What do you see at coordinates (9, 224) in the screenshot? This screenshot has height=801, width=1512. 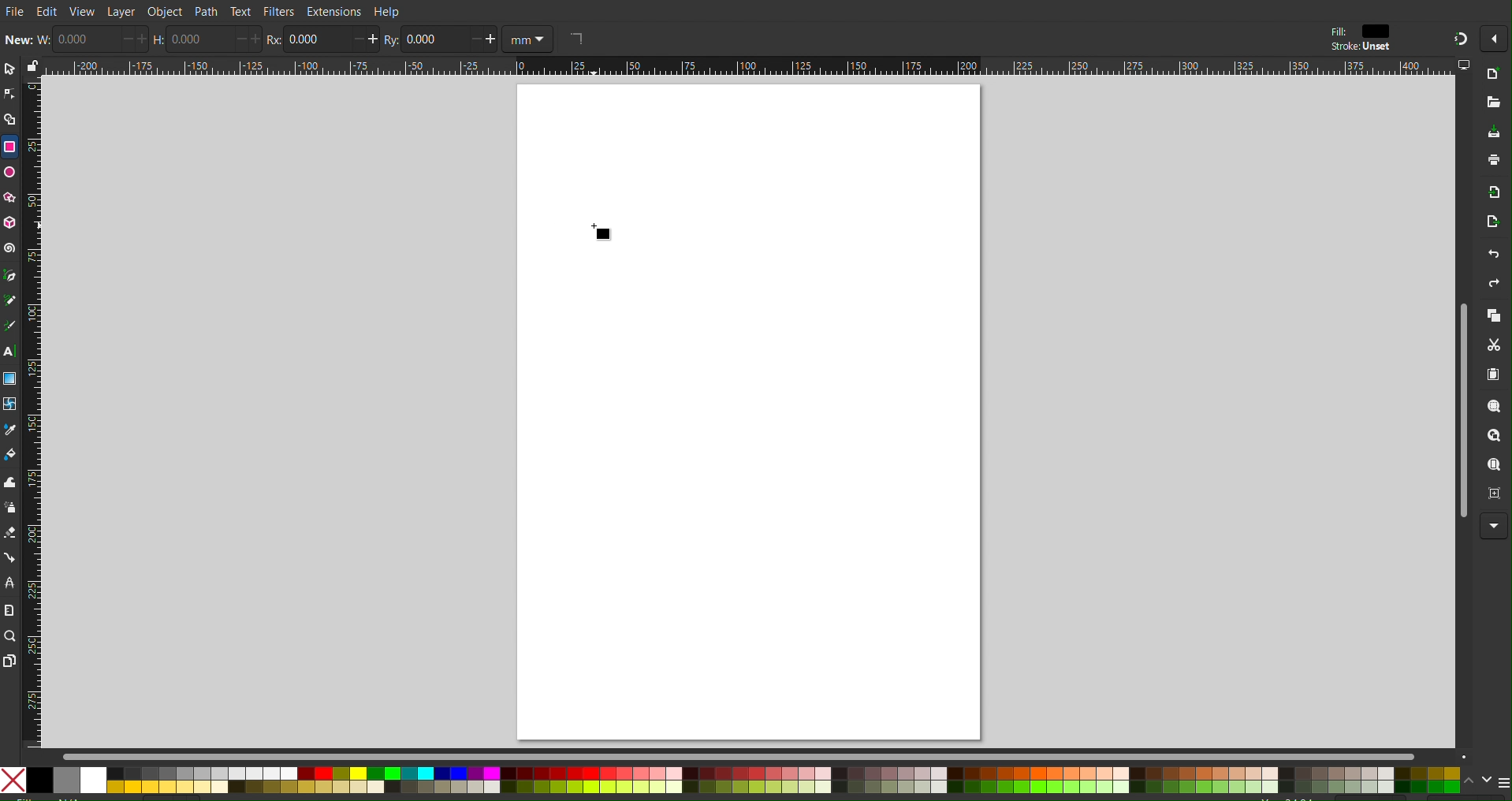 I see `3D Box Tool` at bounding box center [9, 224].